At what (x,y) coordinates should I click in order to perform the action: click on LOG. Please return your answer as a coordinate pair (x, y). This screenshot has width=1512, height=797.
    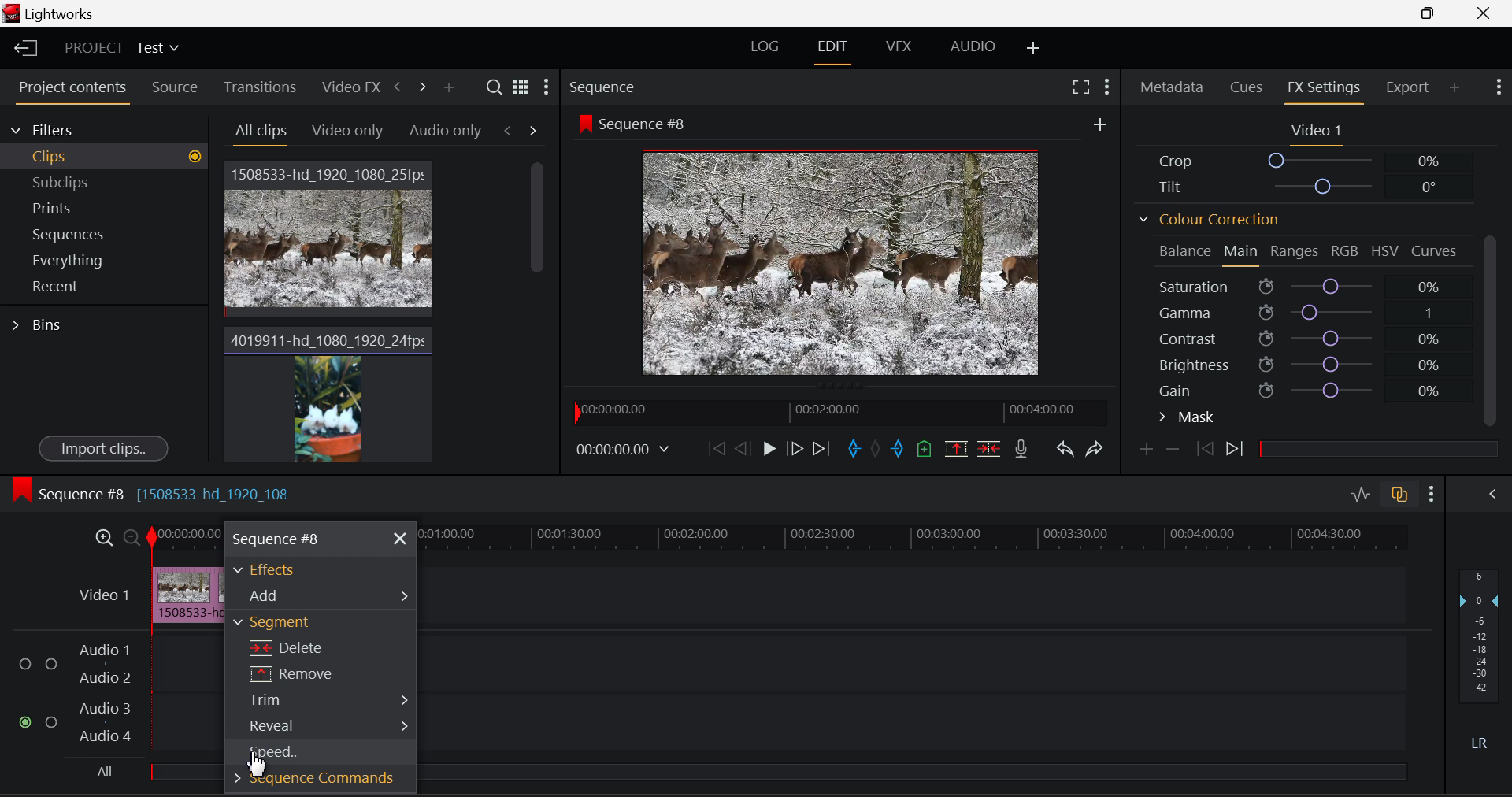
    Looking at the image, I should click on (767, 46).